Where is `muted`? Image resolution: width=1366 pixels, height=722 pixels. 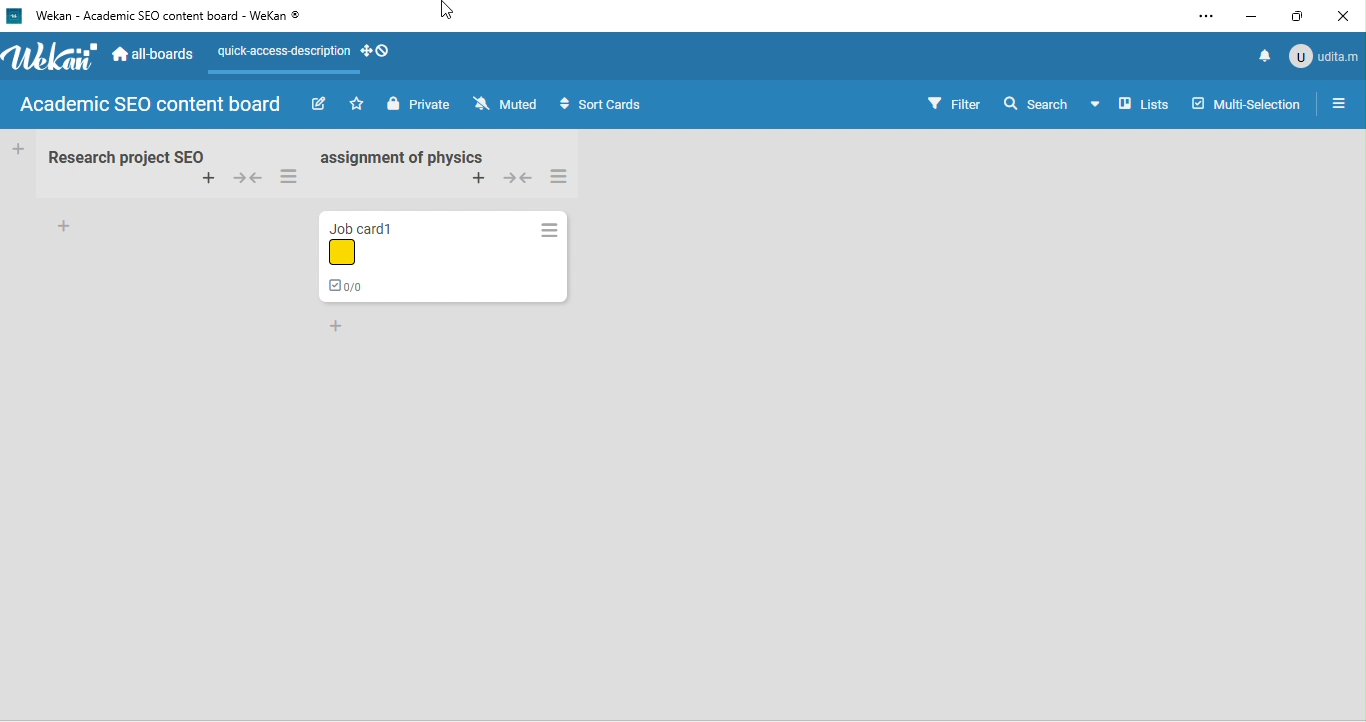 muted is located at coordinates (510, 105).